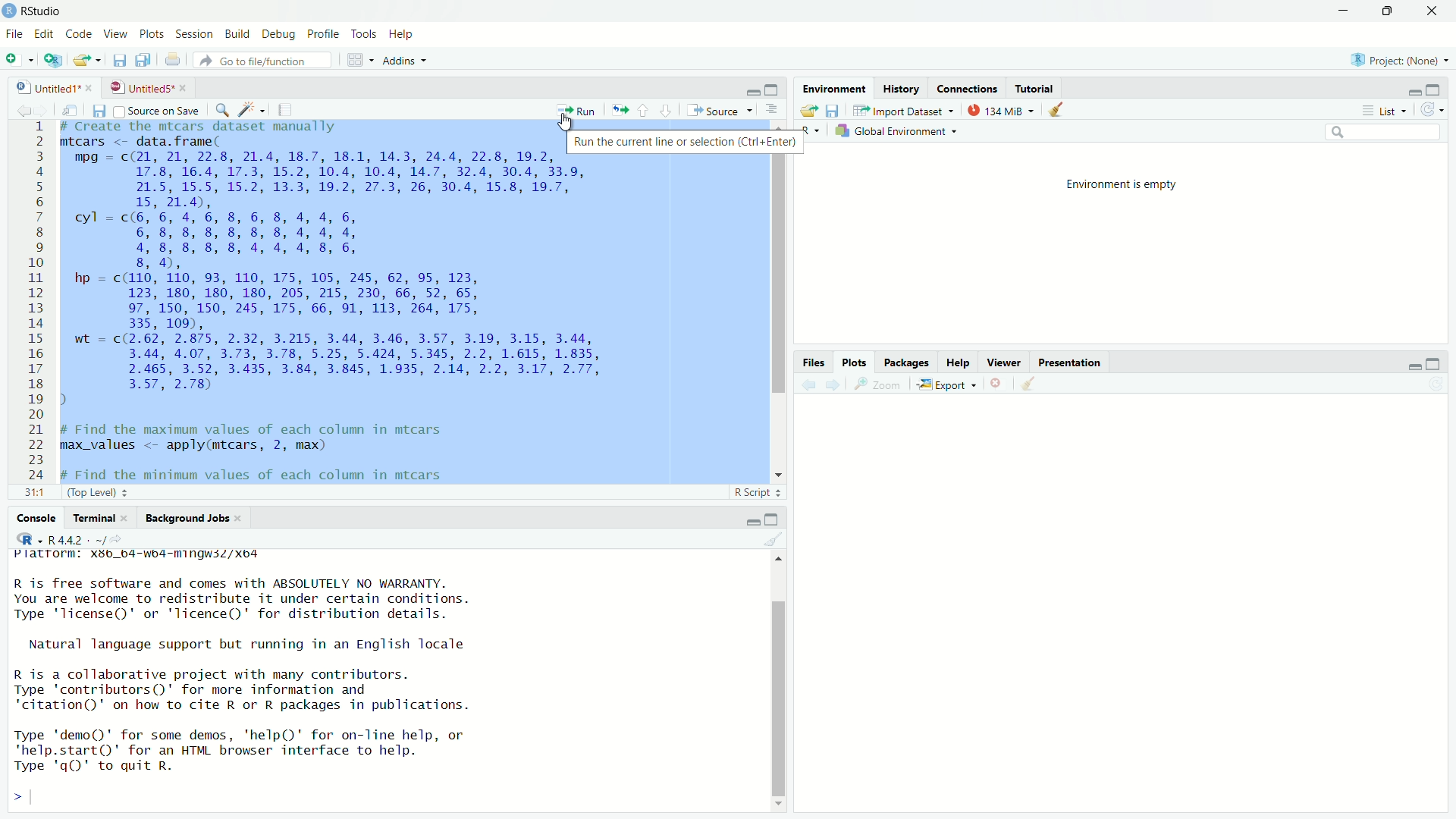  I want to click on Plots, so click(152, 33).